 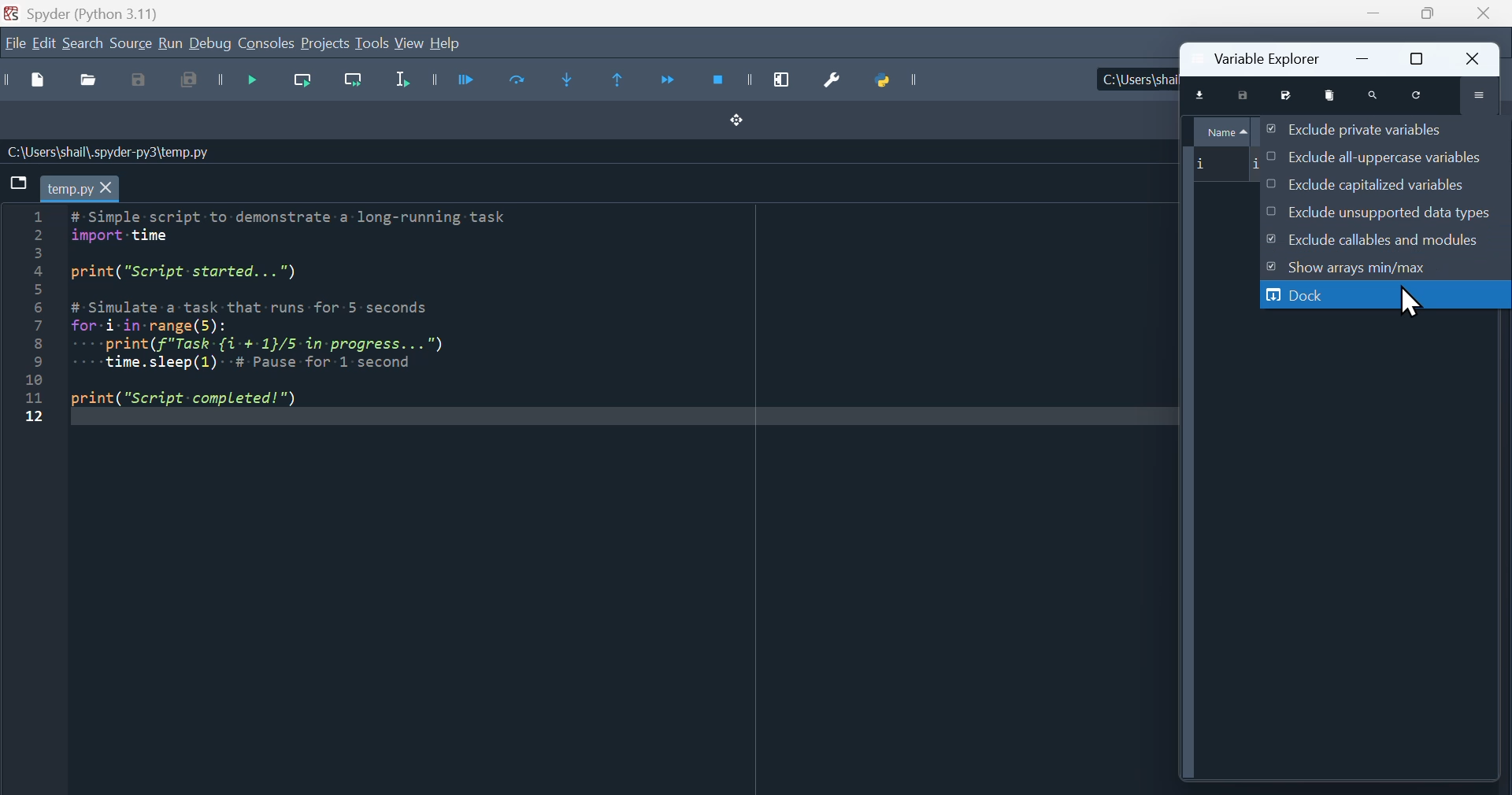 What do you see at coordinates (87, 82) in the screenshot?
I see `Open file` at bounding box center [87, 82].